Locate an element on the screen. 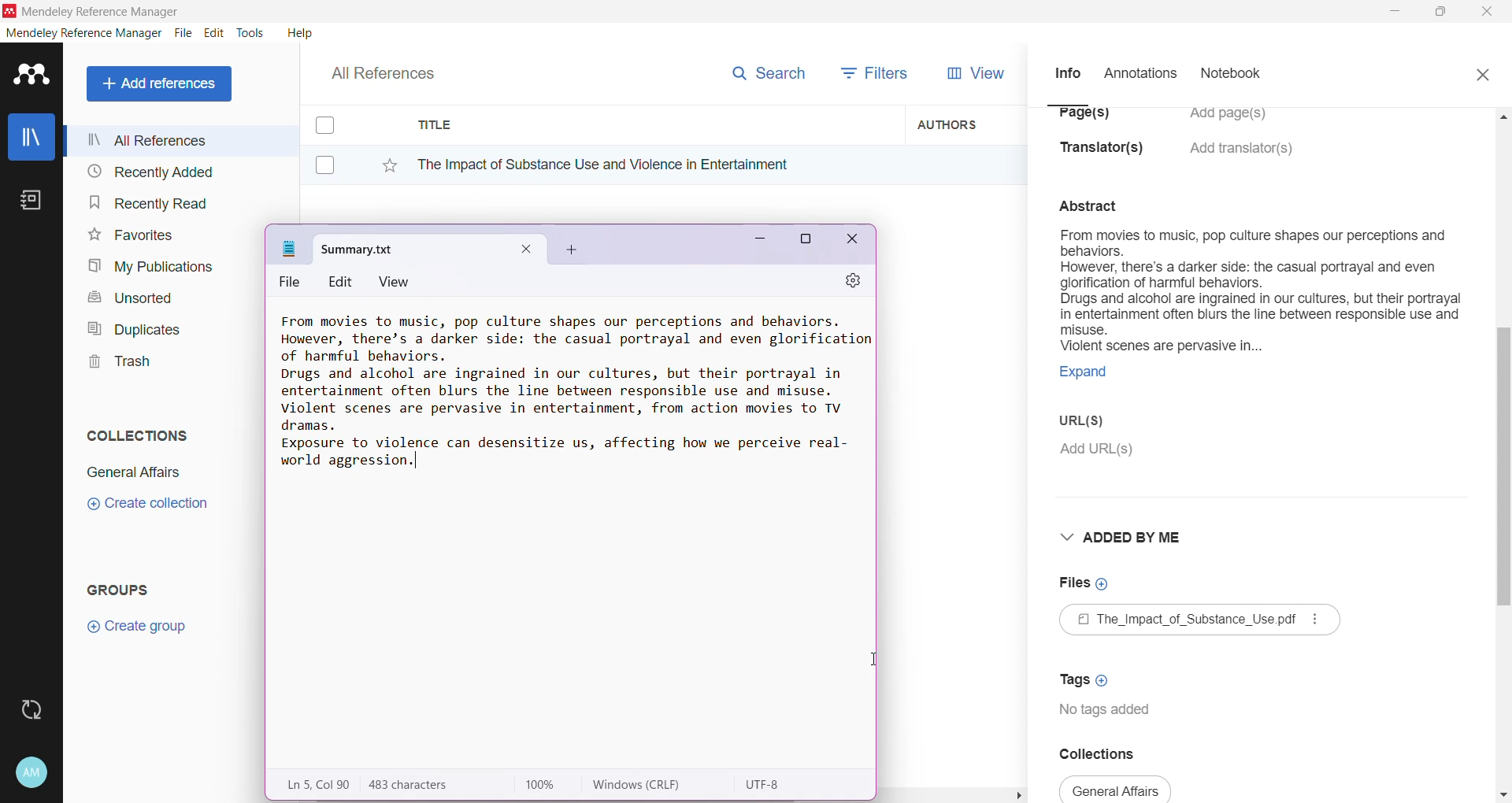 The image size is (1512, 803). Add New Tab is located at coordinates (573, 250).